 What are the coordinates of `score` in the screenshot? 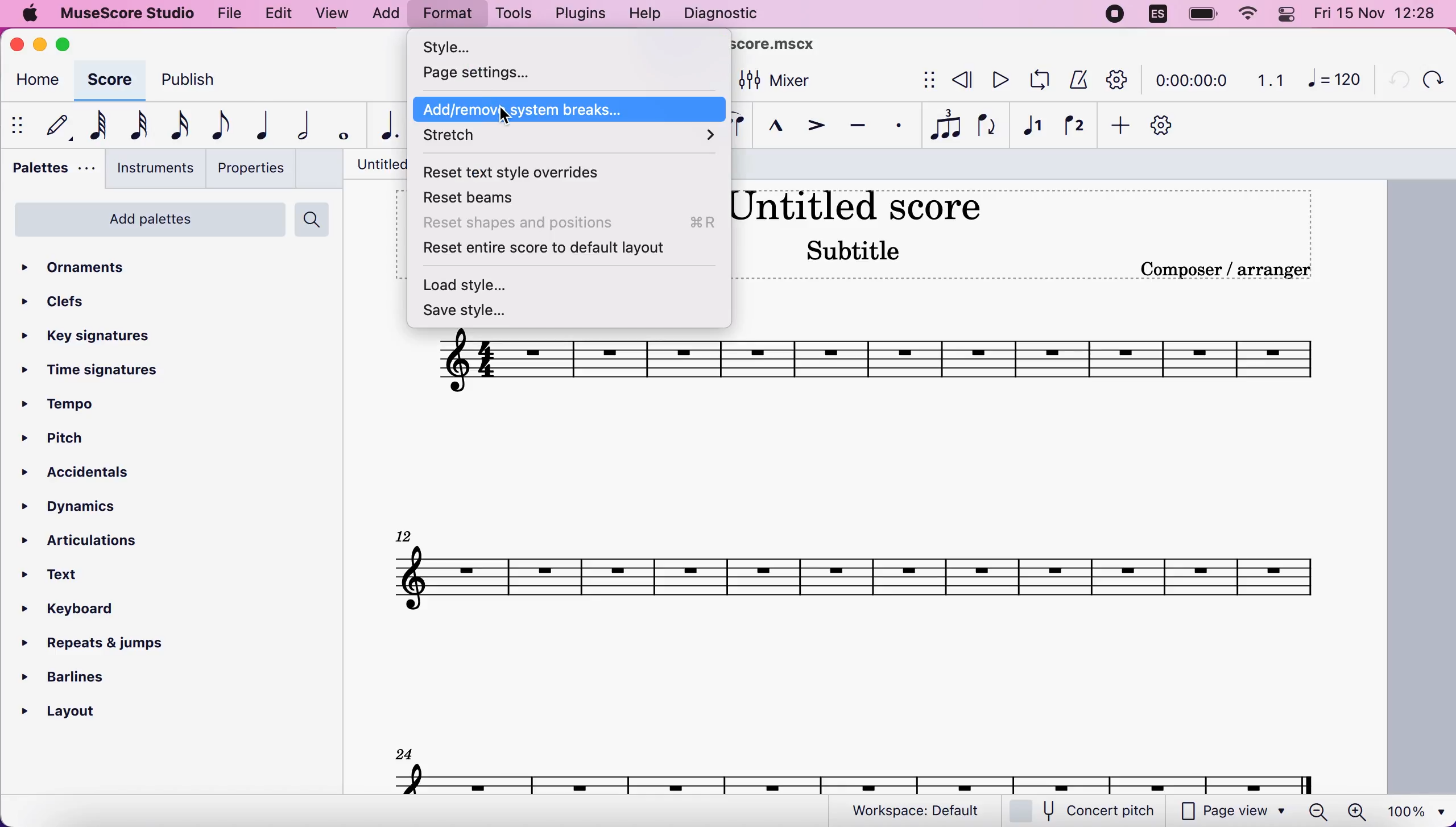 It's located at (855, 577).